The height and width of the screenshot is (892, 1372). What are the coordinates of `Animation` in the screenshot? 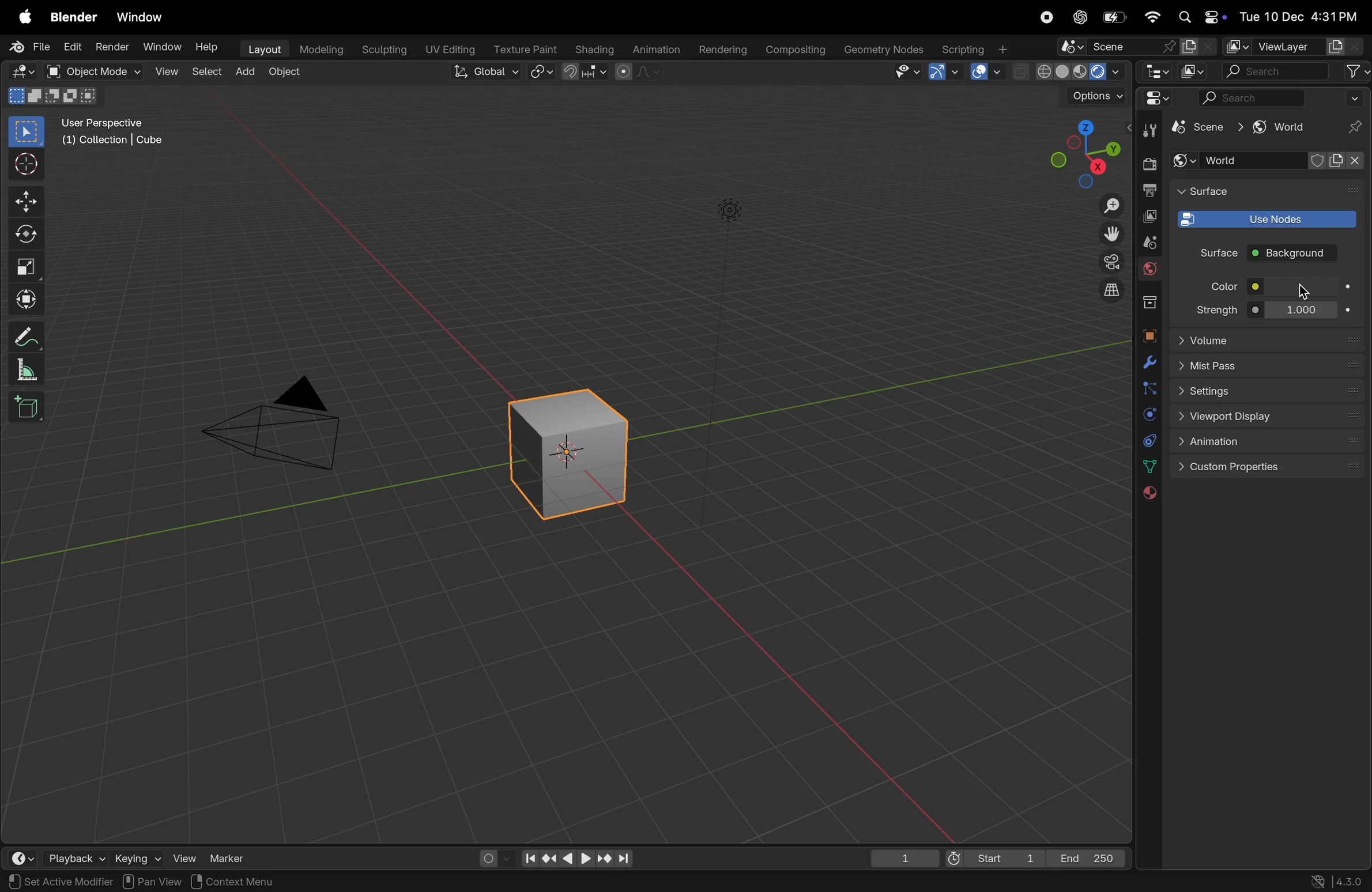 It's located at (654, 50).